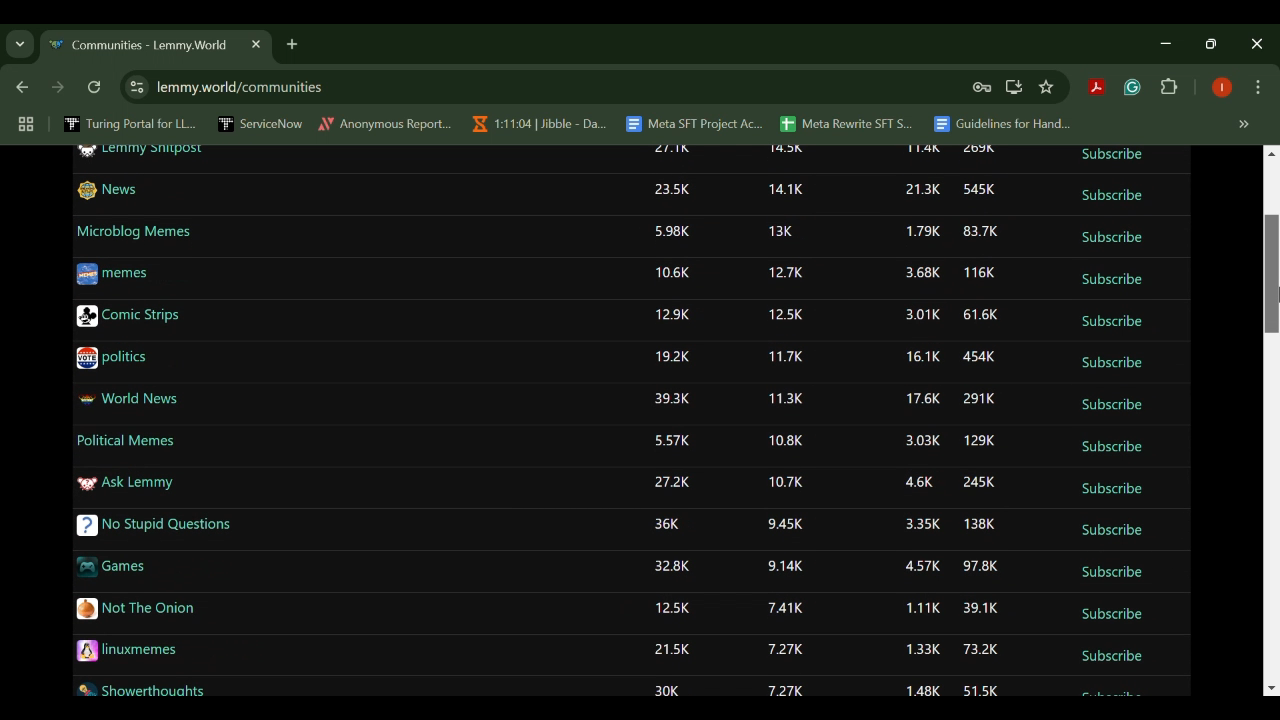 The height and width of the screenshot is (720, 1280). I want to click on 13K, so click(780, 231).